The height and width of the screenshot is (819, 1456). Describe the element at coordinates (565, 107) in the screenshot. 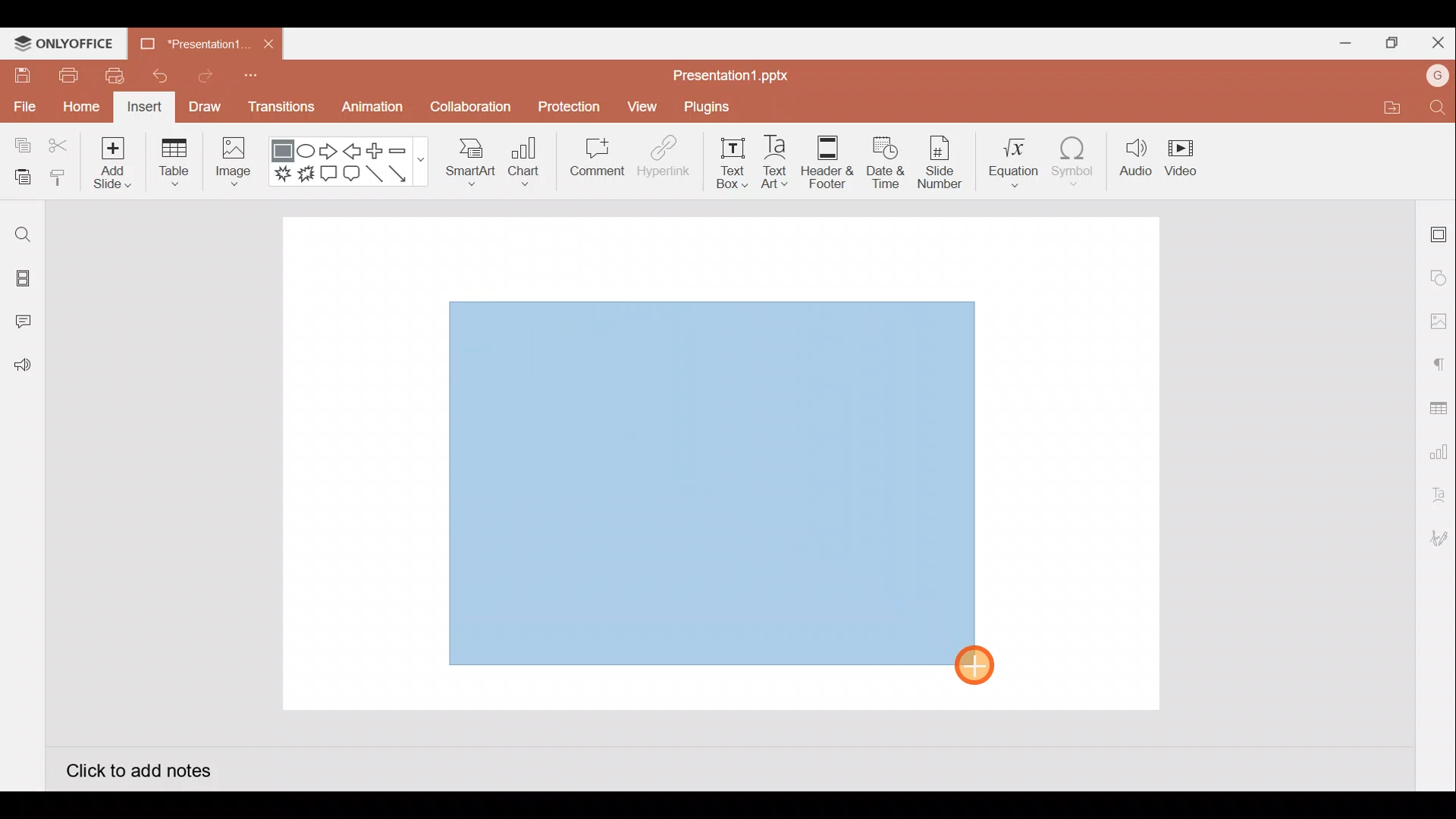

I see `Protection` at that location.